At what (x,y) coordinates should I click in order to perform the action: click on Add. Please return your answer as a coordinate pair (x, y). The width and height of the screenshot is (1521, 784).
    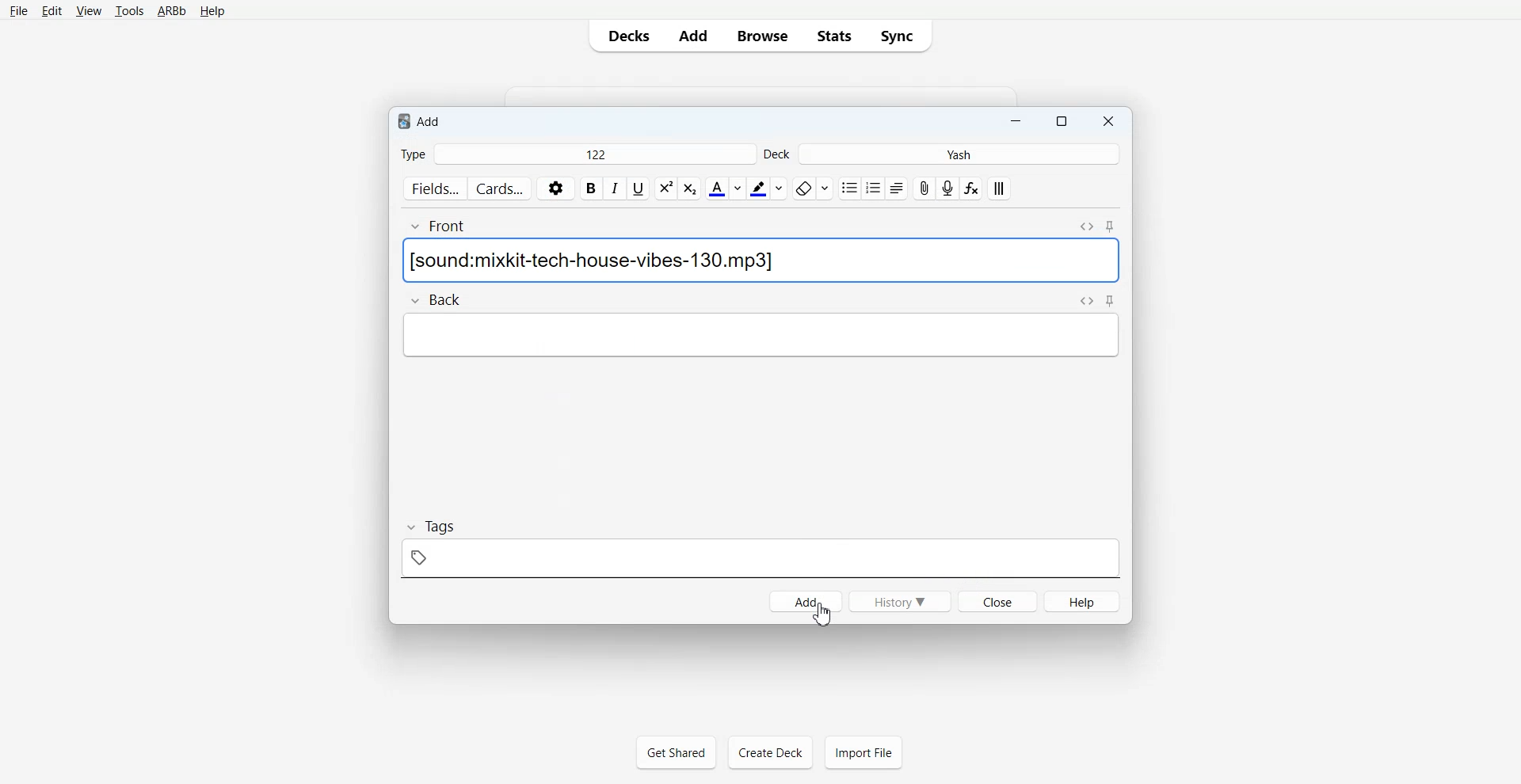
    Looking at the image, I should click on (694, 36).